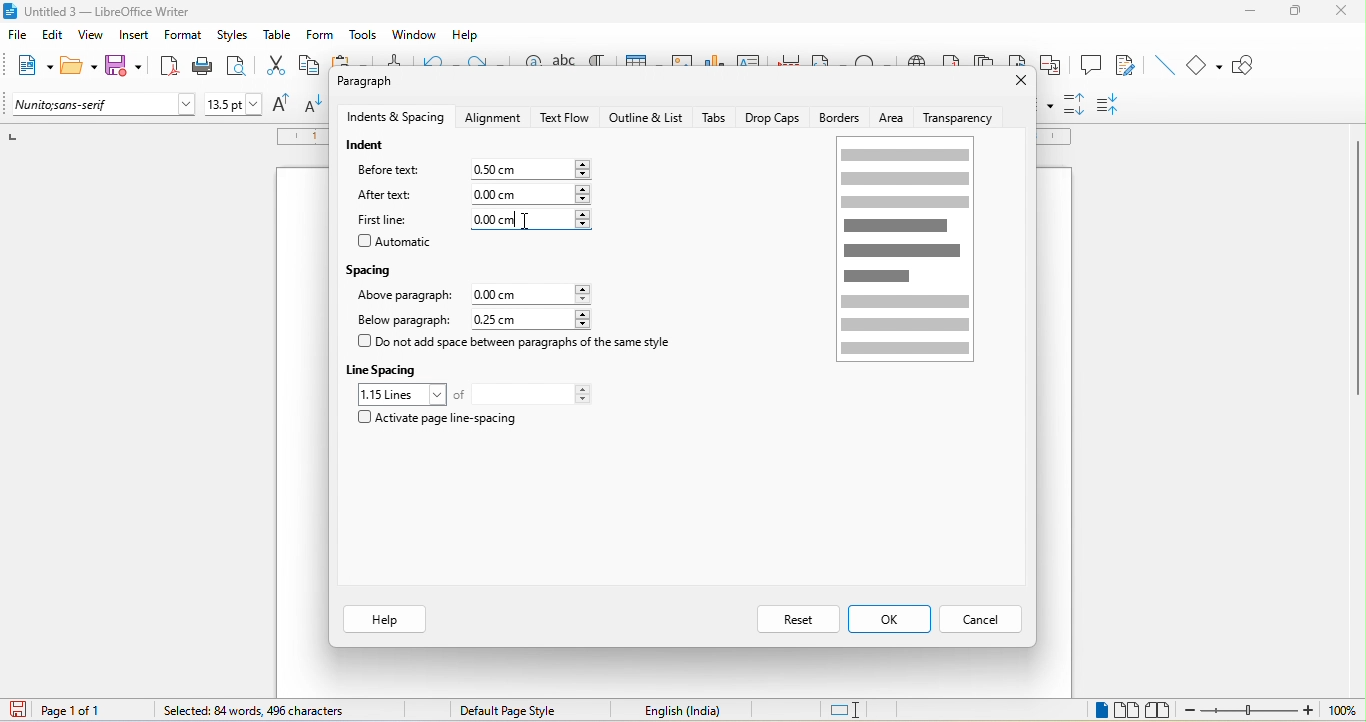 The image size is (1366, 722). What do you see at coordinates (1288, 12) in the screenshot?
I see `maximize` at bounding box center [1288, 12].